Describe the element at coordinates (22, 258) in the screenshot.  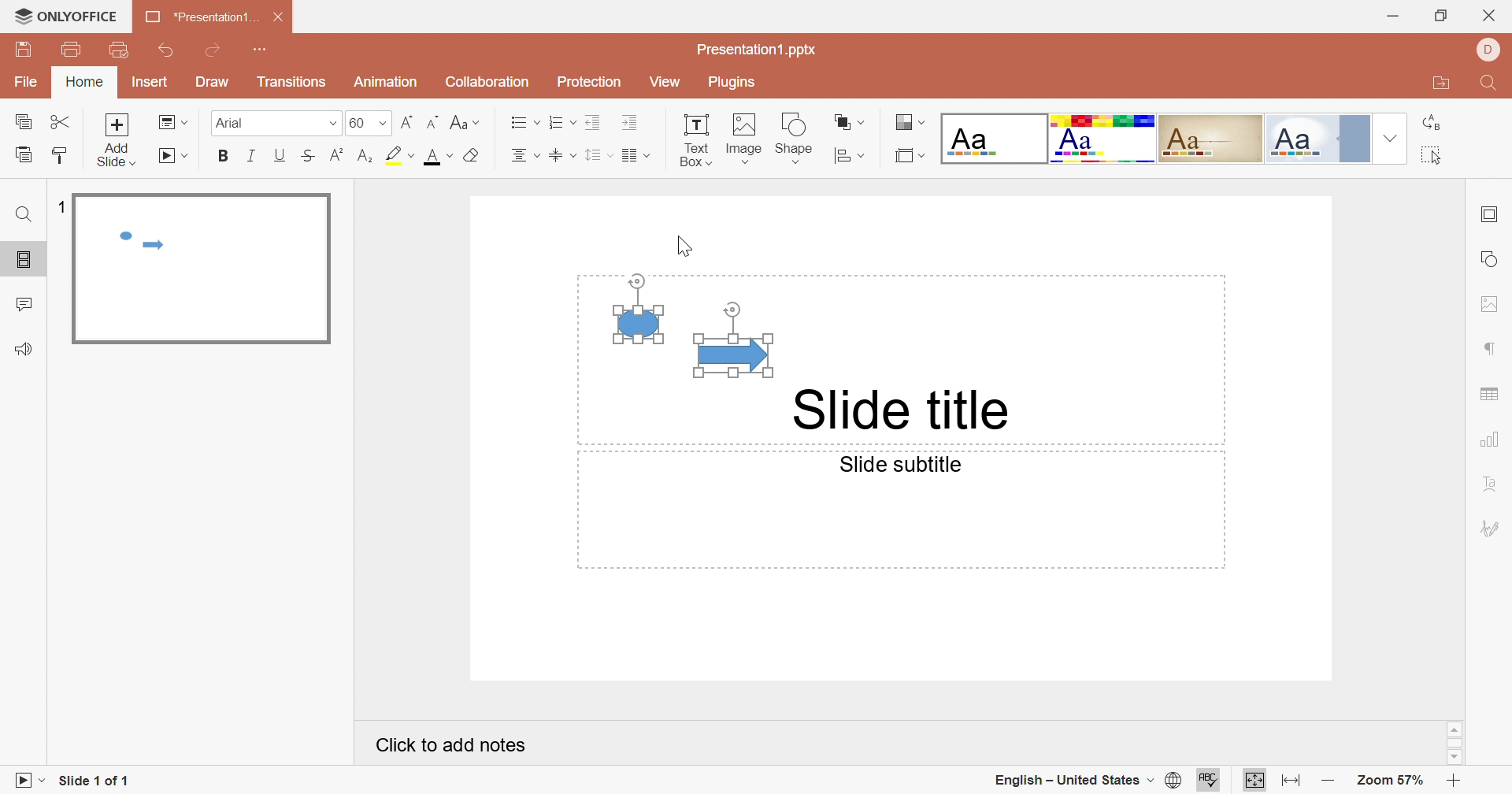
I see `Slides` at that location.